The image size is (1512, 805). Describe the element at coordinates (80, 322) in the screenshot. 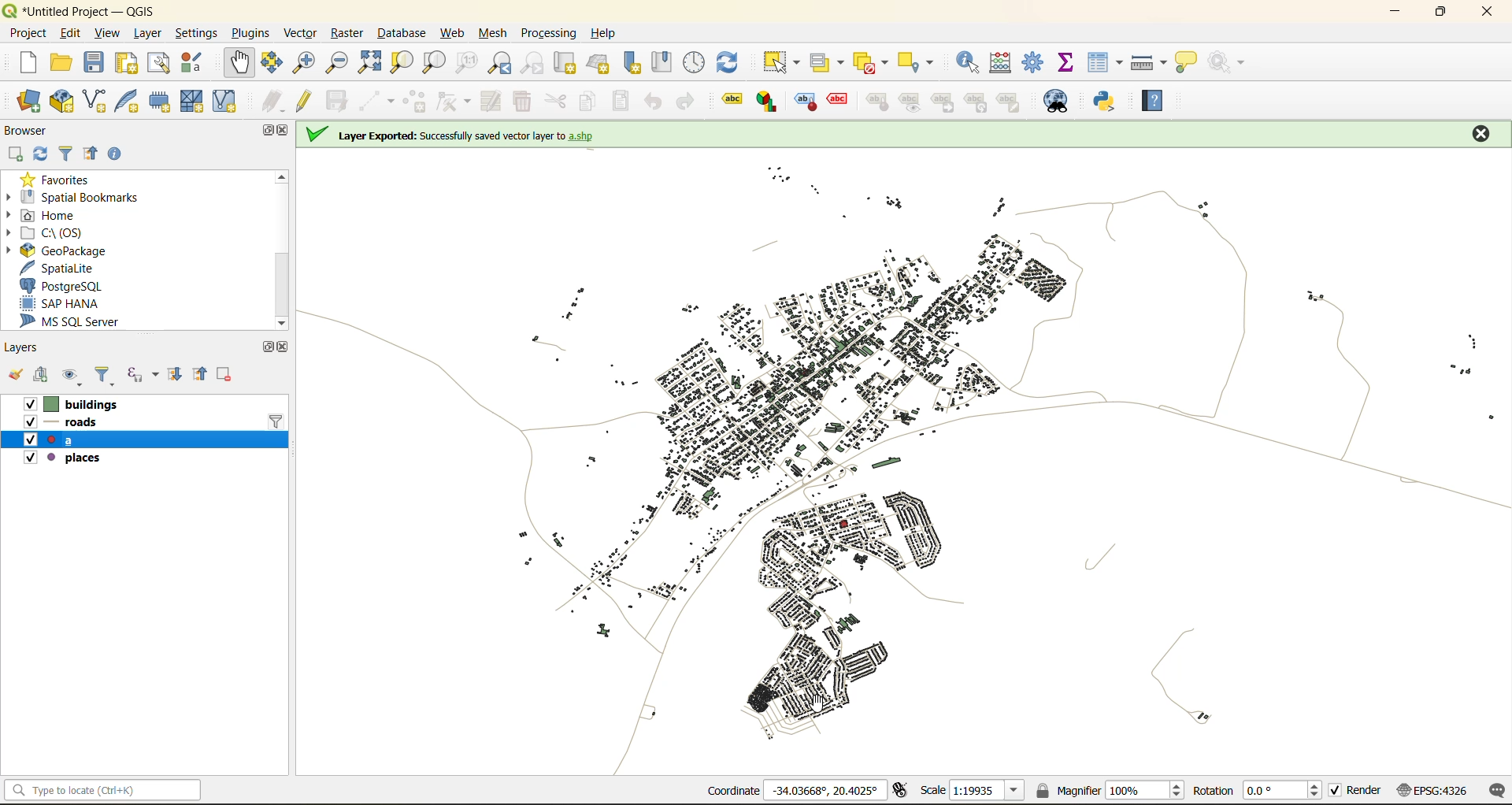

I see `ms sql server` at that location.